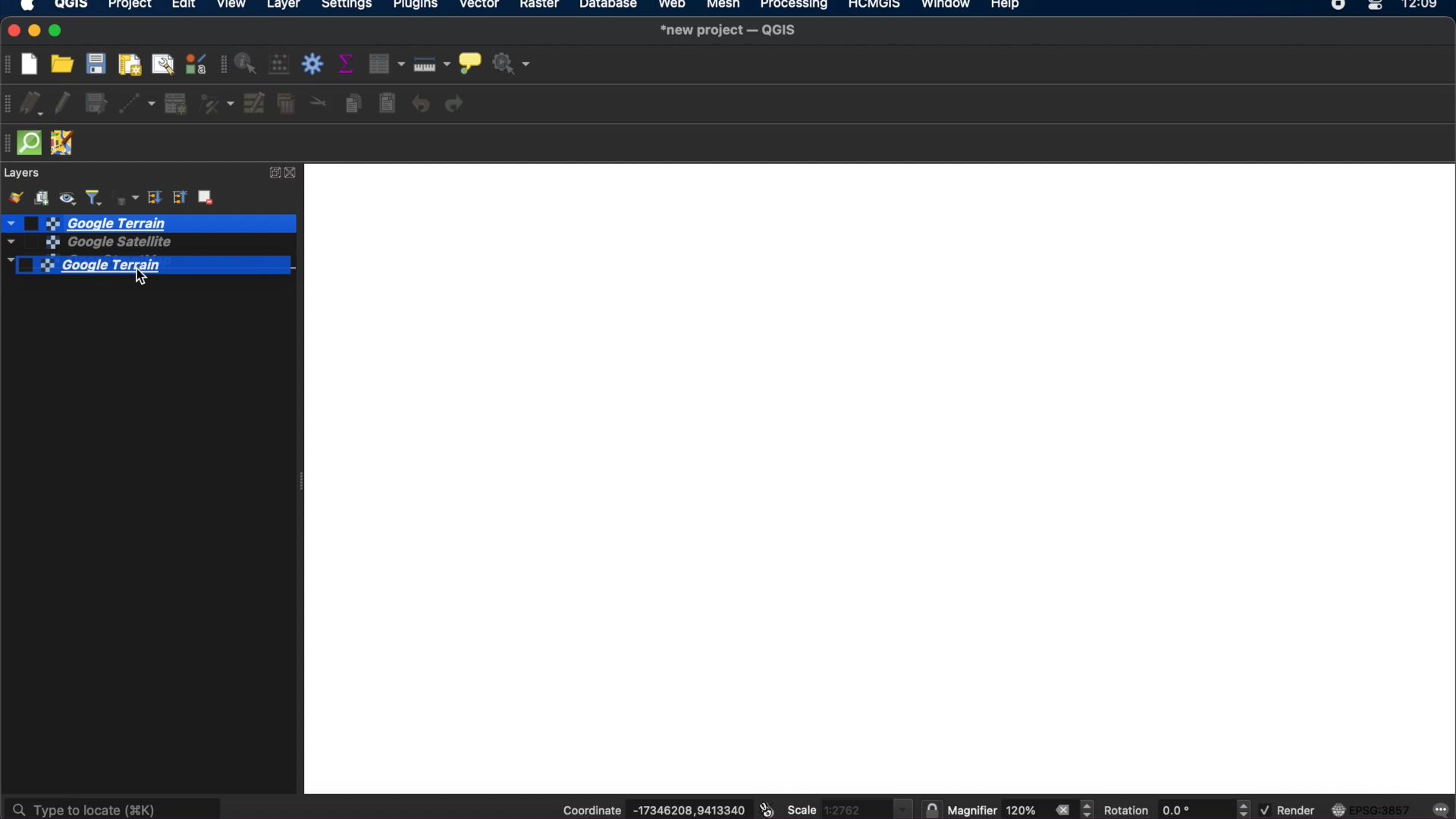  What do you see at coordinates (996, 811) in the screenshot?
I see `magnifier 120%` at bounding box center [996, 811].